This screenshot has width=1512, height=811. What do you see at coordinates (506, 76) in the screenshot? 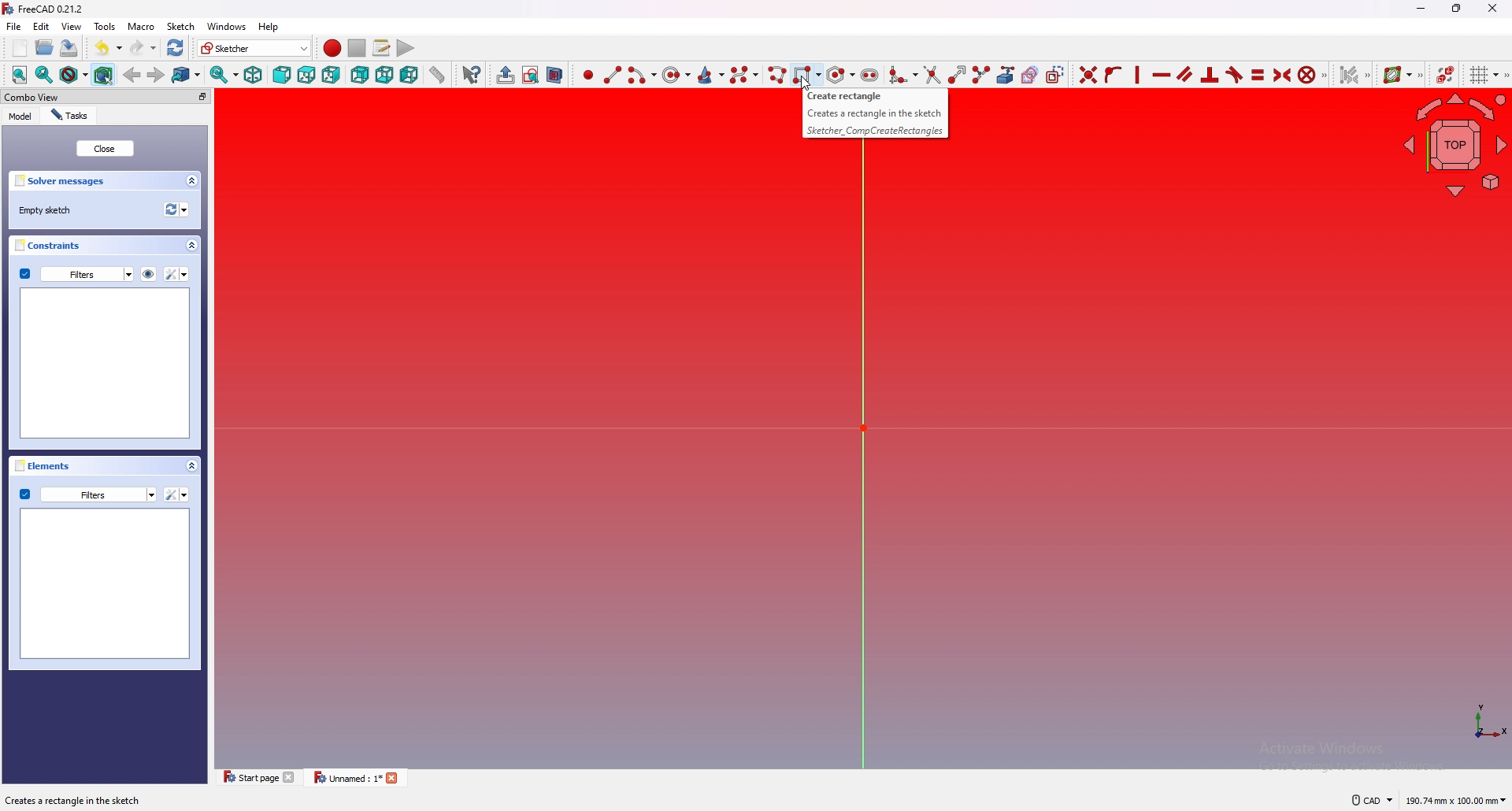
I see `leave sketch` at bounding box center [506, 76].